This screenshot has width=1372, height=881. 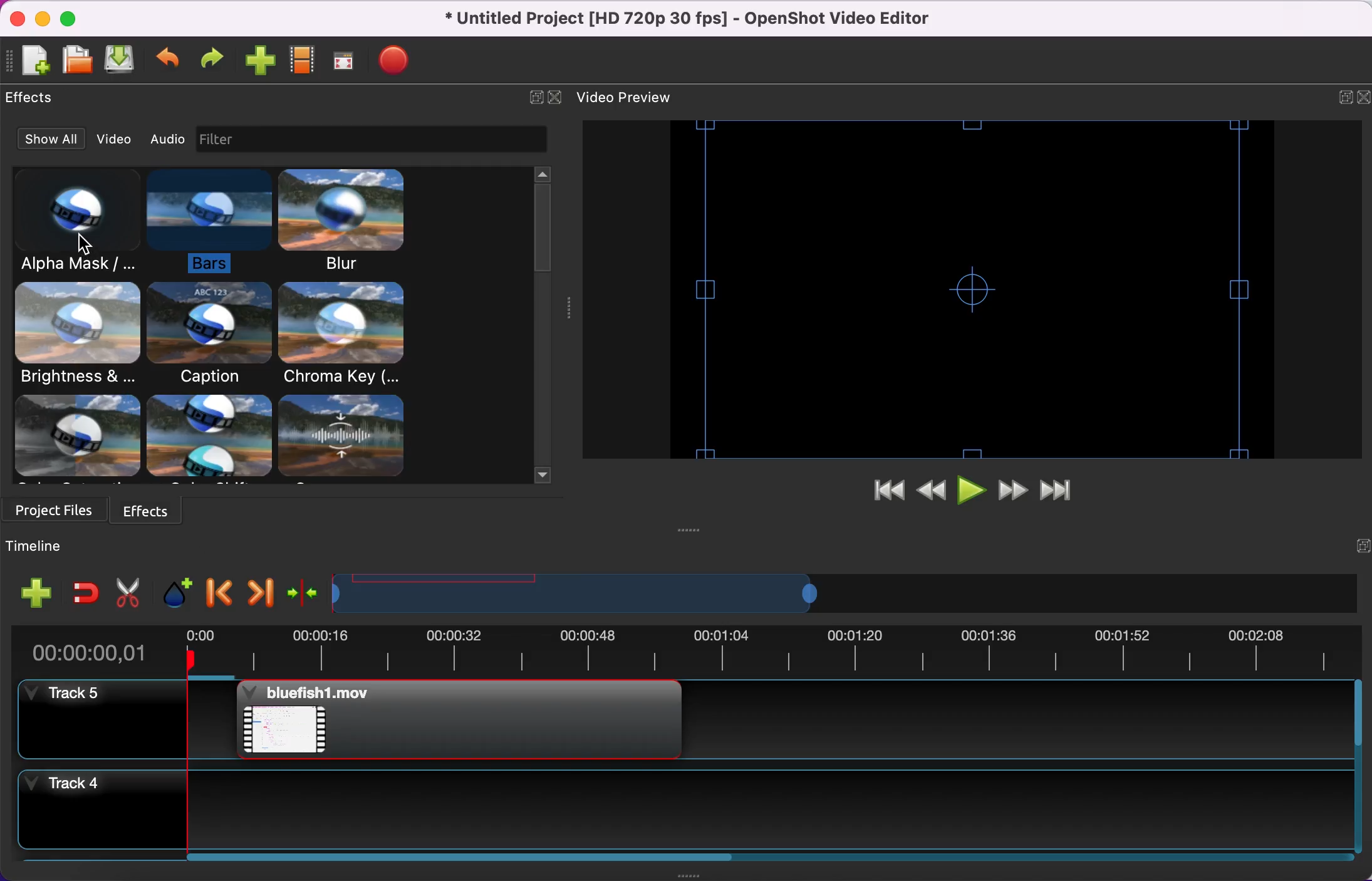 I want to click on full screen, so click(x=345, y=63).